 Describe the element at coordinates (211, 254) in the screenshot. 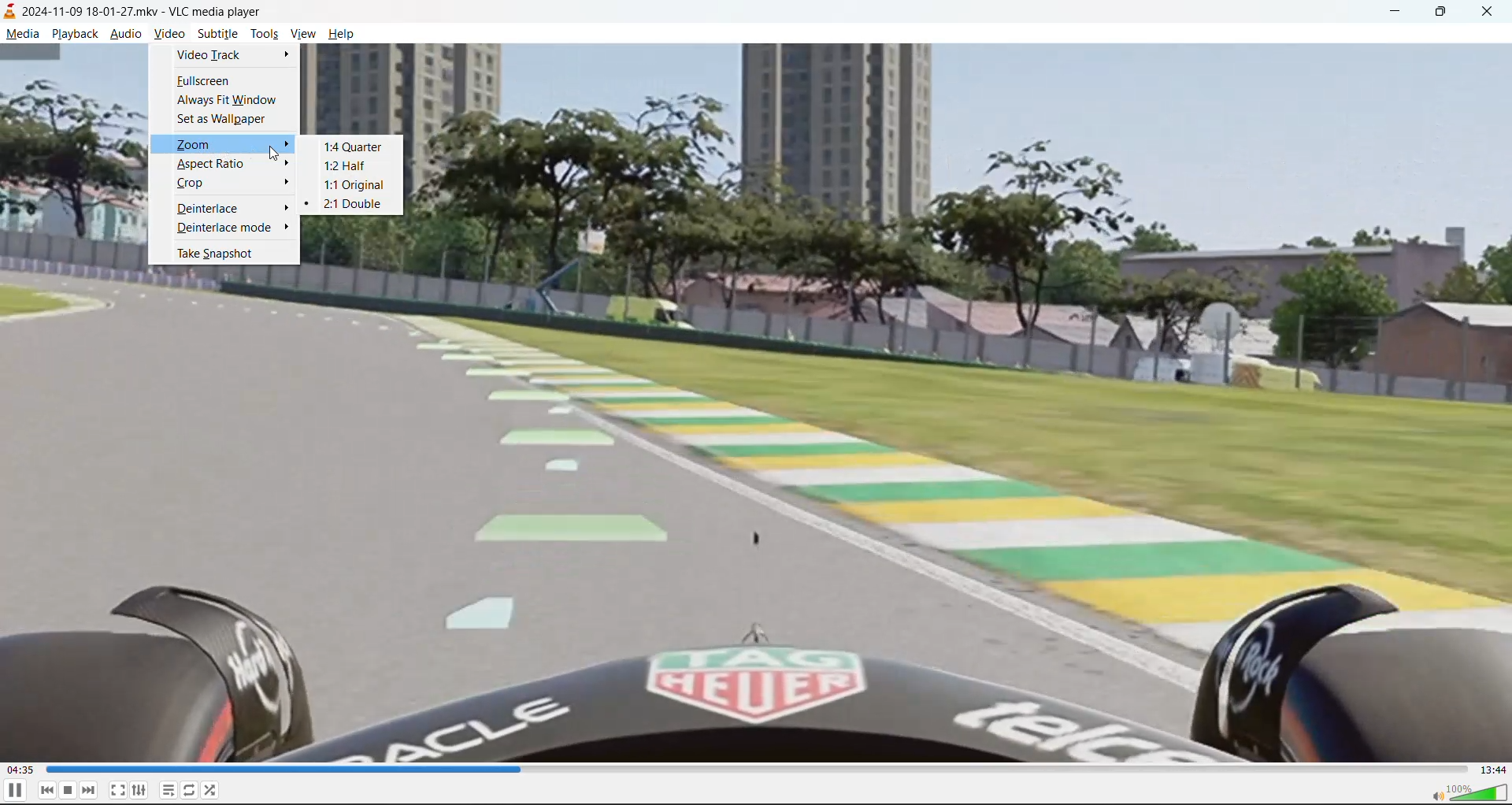

I see `take snapshot` at that location.